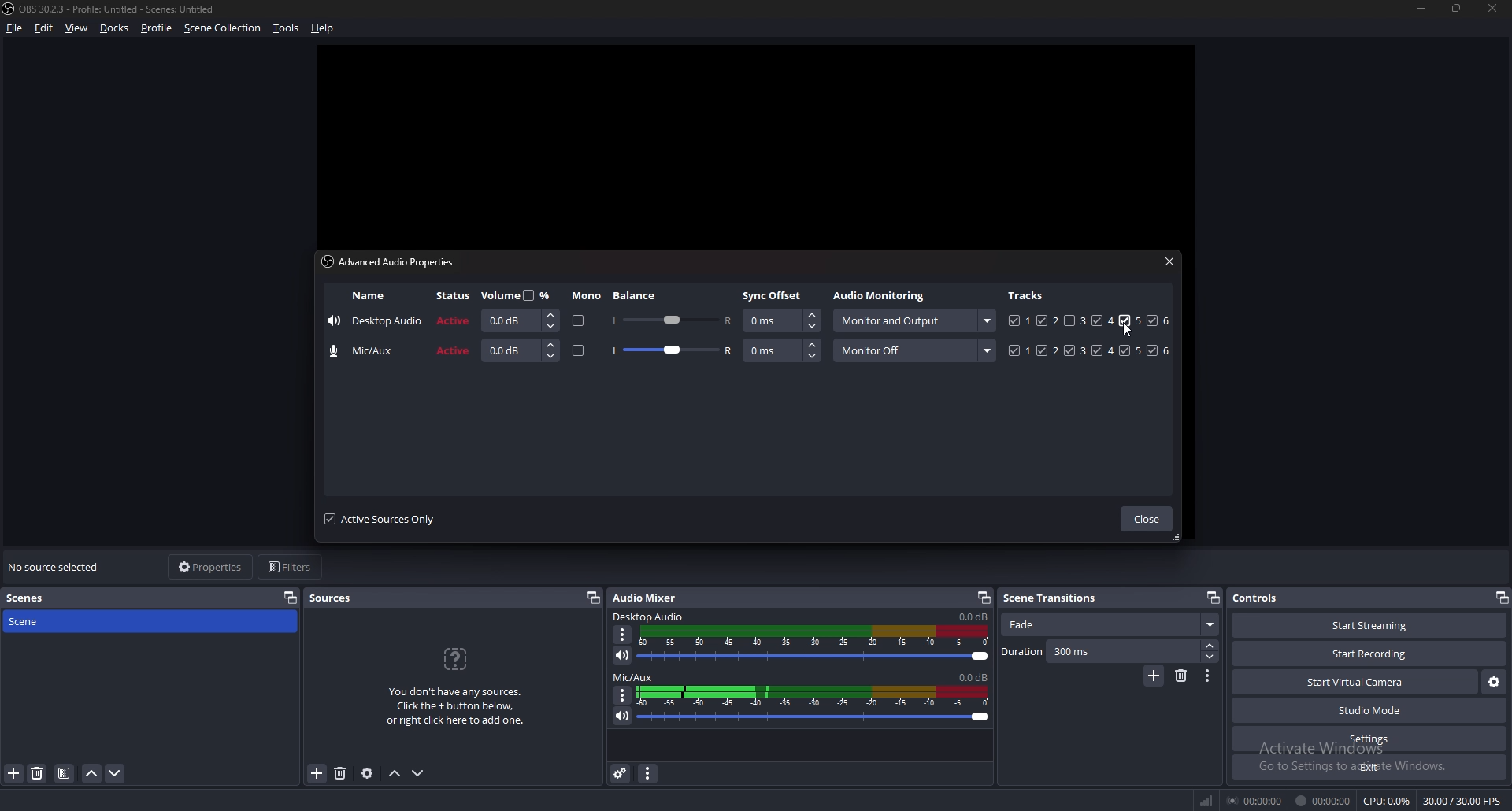 This screenshot has width=1512, height=811. I want to click on file, so click(16, 28).